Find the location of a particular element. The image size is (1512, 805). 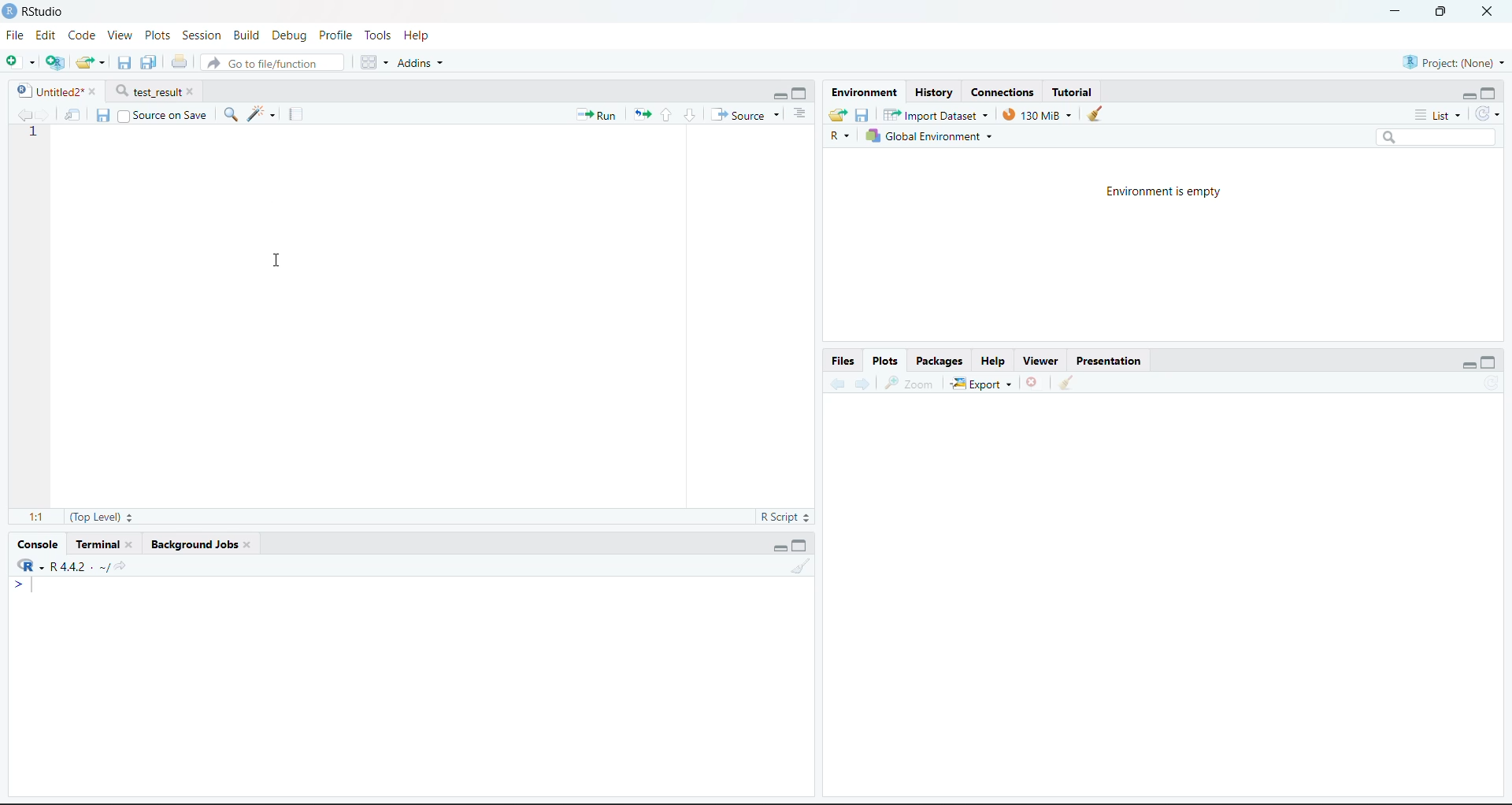

Load workspace is located at coordinates (836, 116).